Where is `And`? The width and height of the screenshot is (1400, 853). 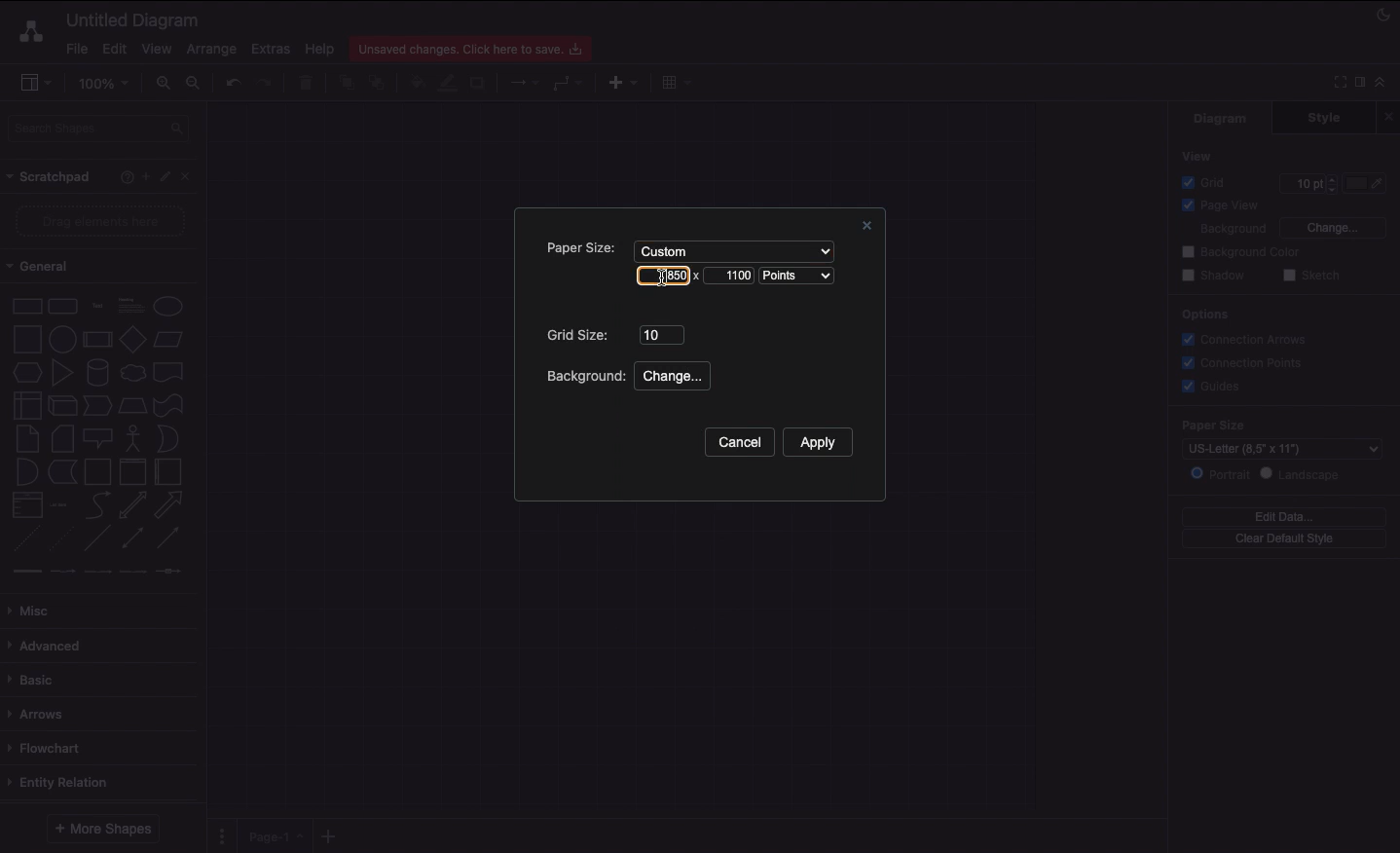 And is located at coordinates (28, 473).